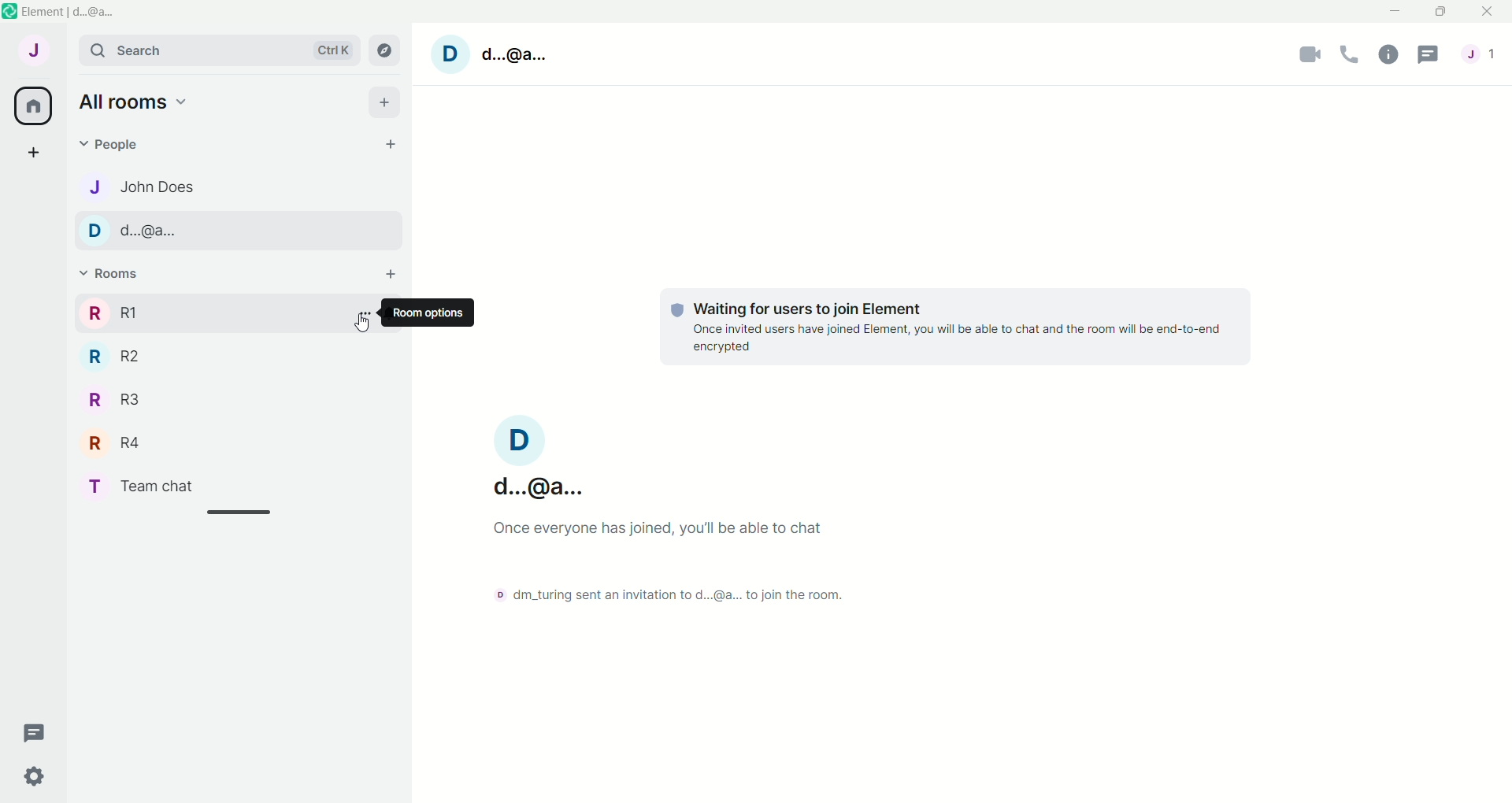  Describe the element at coordinates (1311, 57) in the screenshot. I see `video call` at that location.